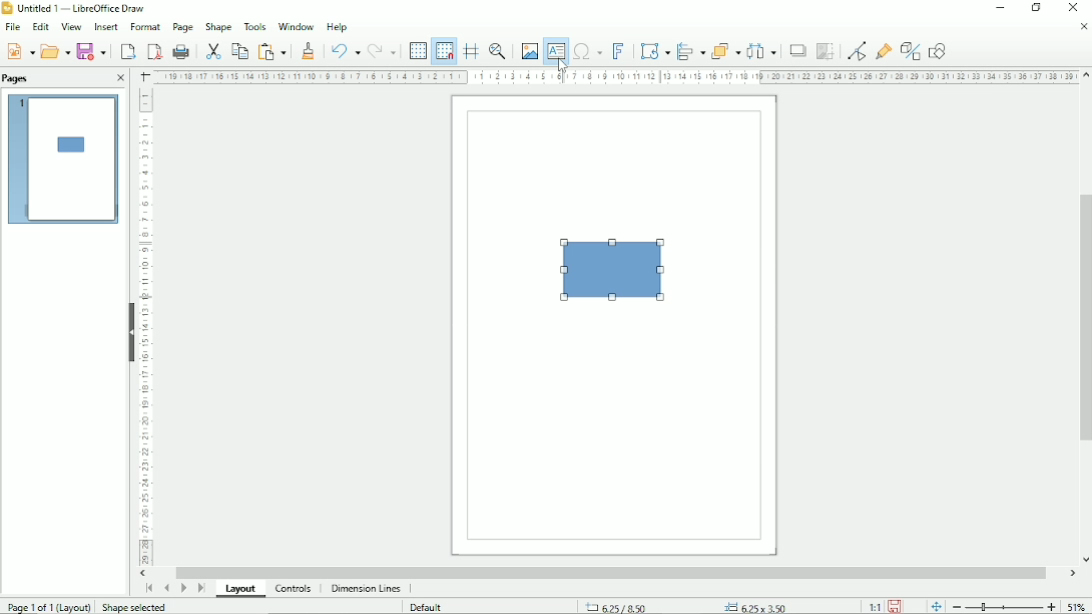  What do you see at coordinates (271, 50) in the screenshot?
I see `Paste` at bounding box center [271, 50].